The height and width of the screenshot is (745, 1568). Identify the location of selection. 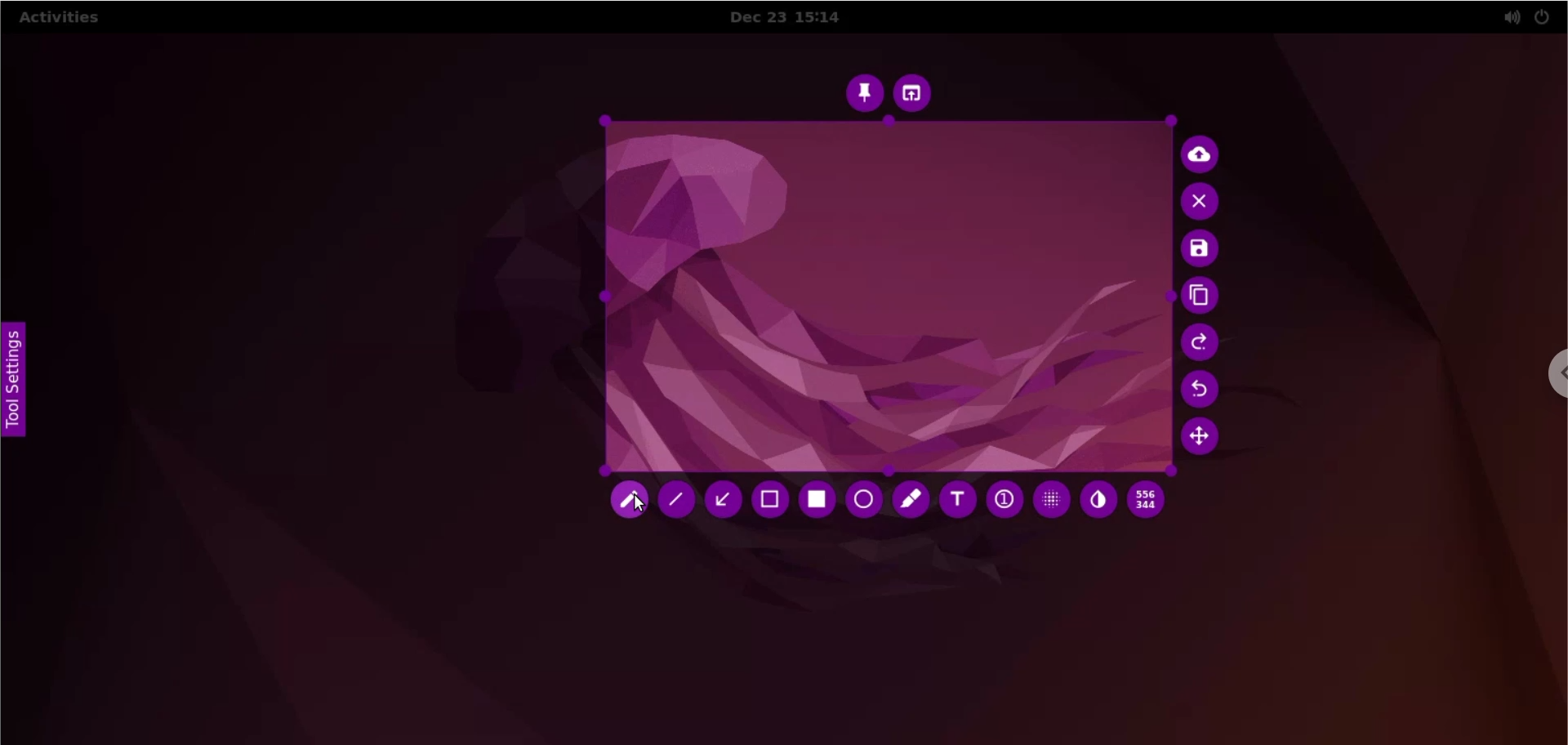
(773, 500).